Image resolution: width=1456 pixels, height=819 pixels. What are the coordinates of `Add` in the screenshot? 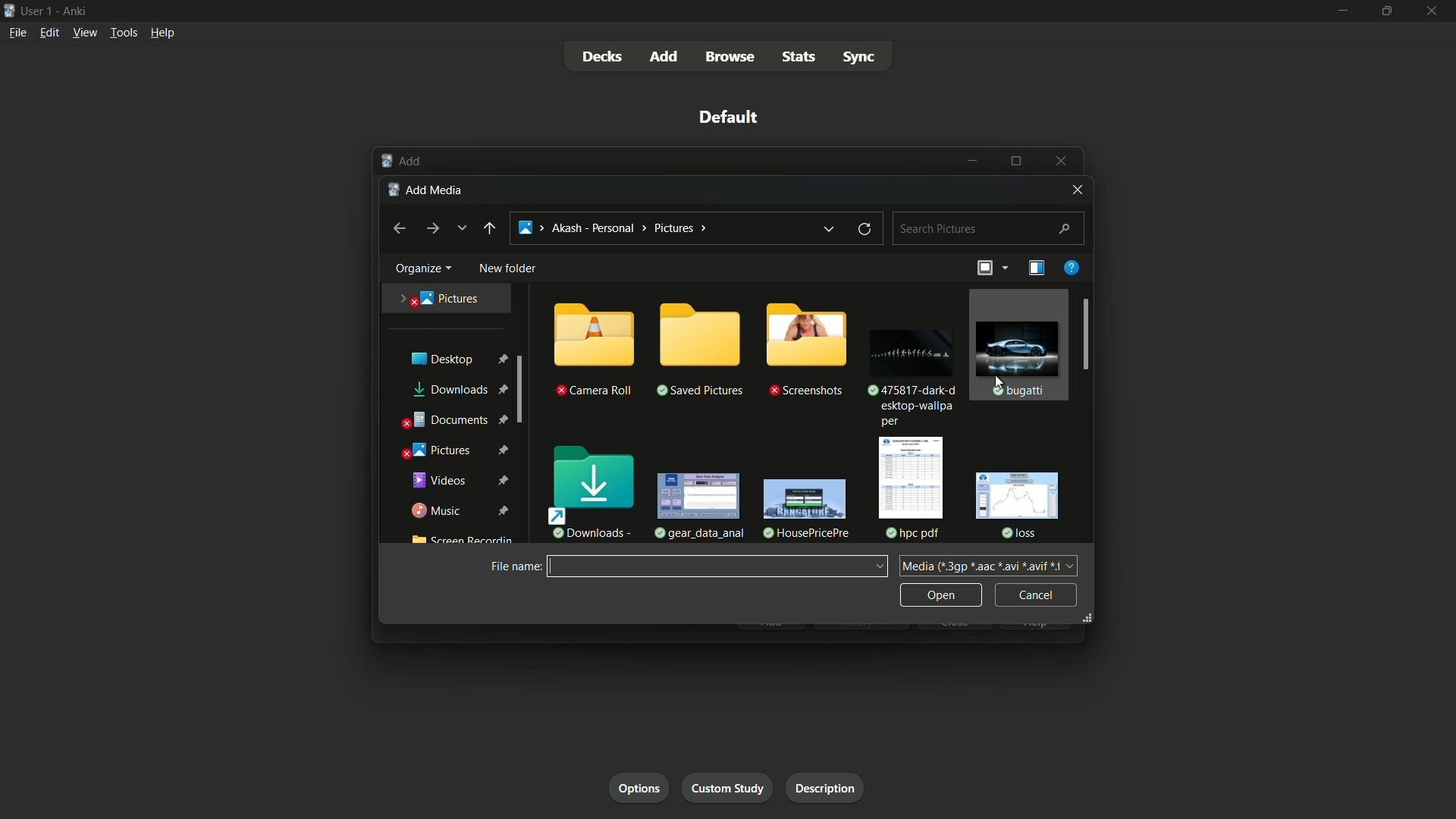 It's located at (400, 161).